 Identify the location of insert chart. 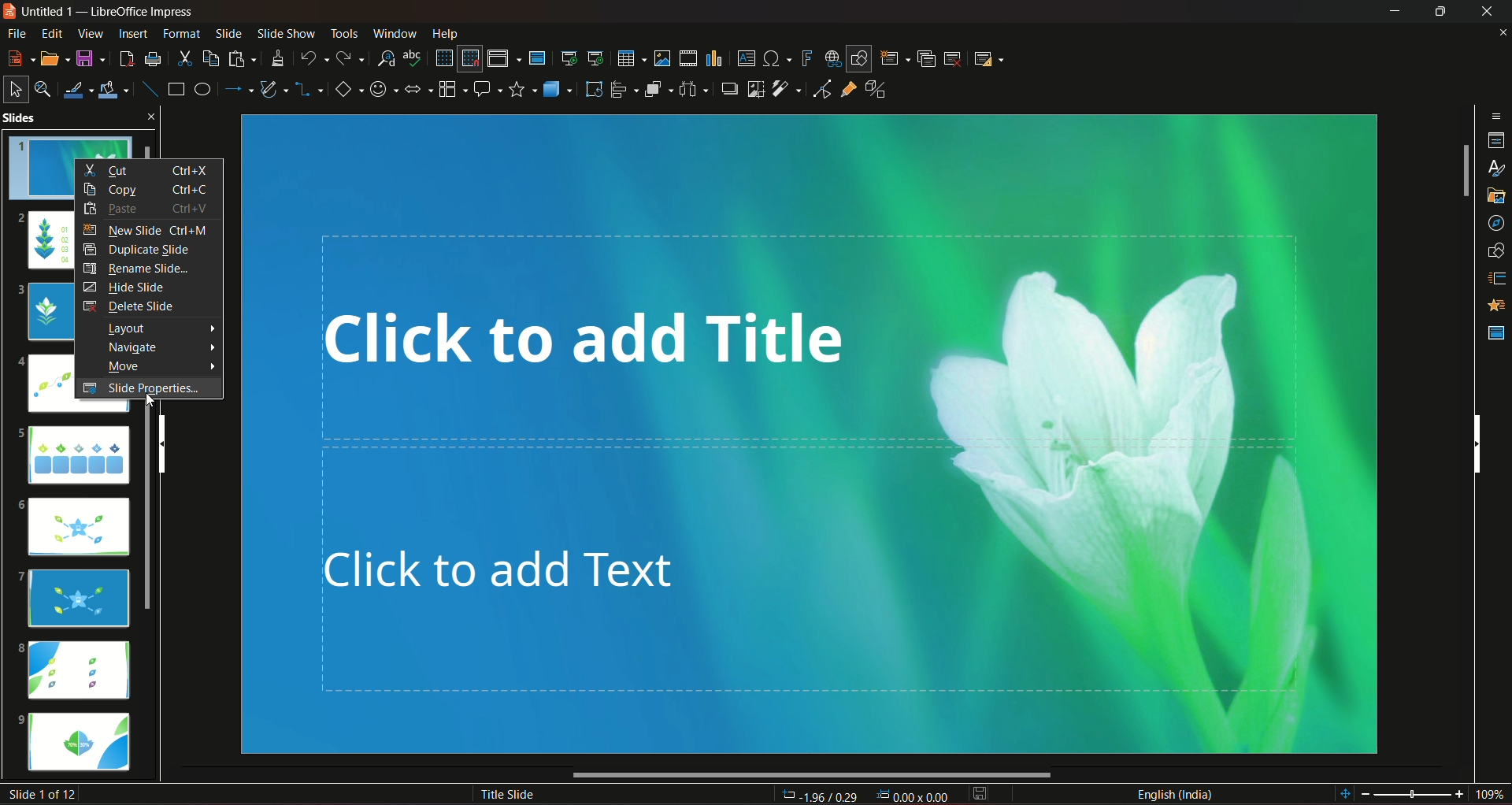
(714, 57).